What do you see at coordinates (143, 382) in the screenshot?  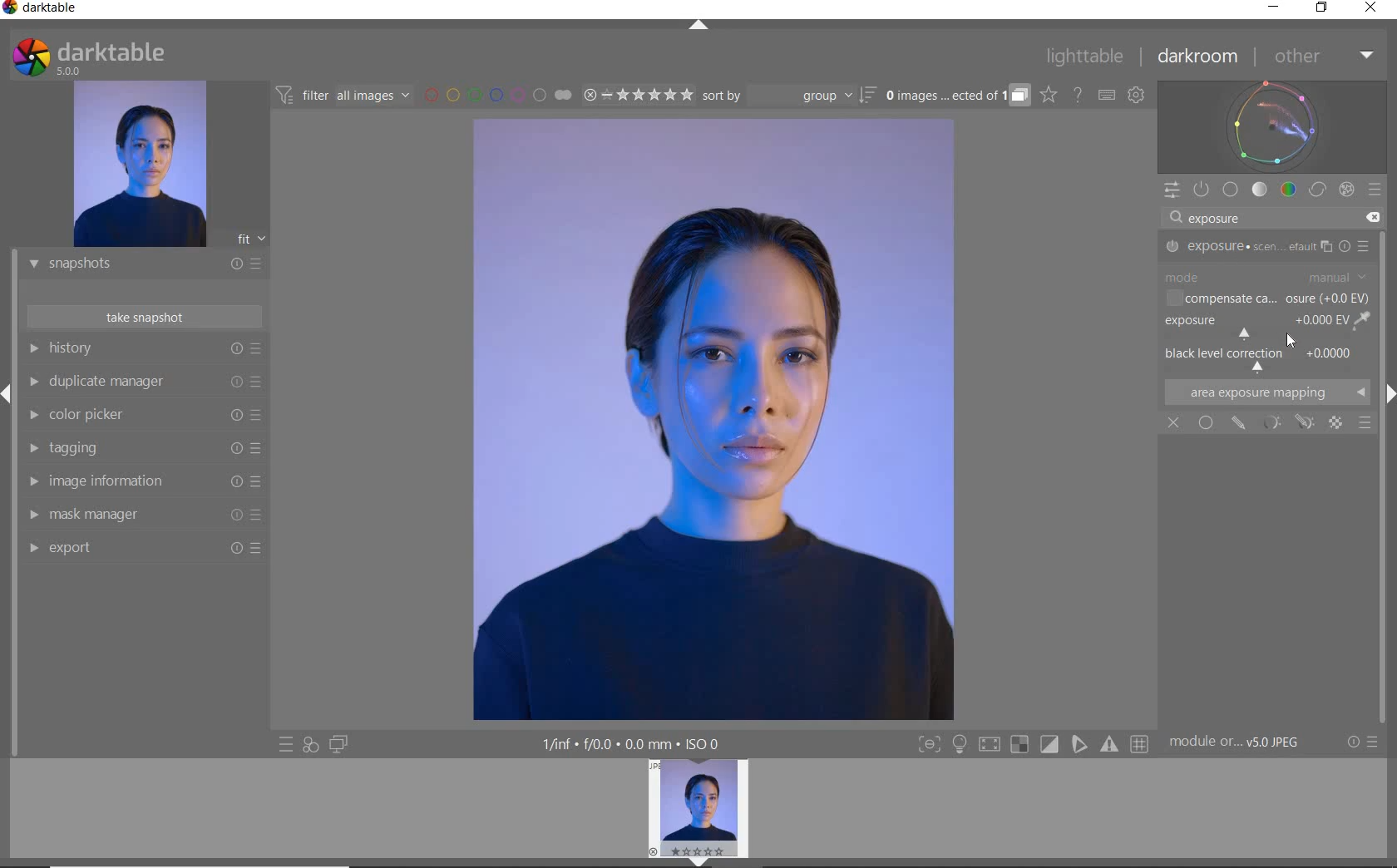 I see `DUPLICATE MANAGER` at bounding box center [143, 382].